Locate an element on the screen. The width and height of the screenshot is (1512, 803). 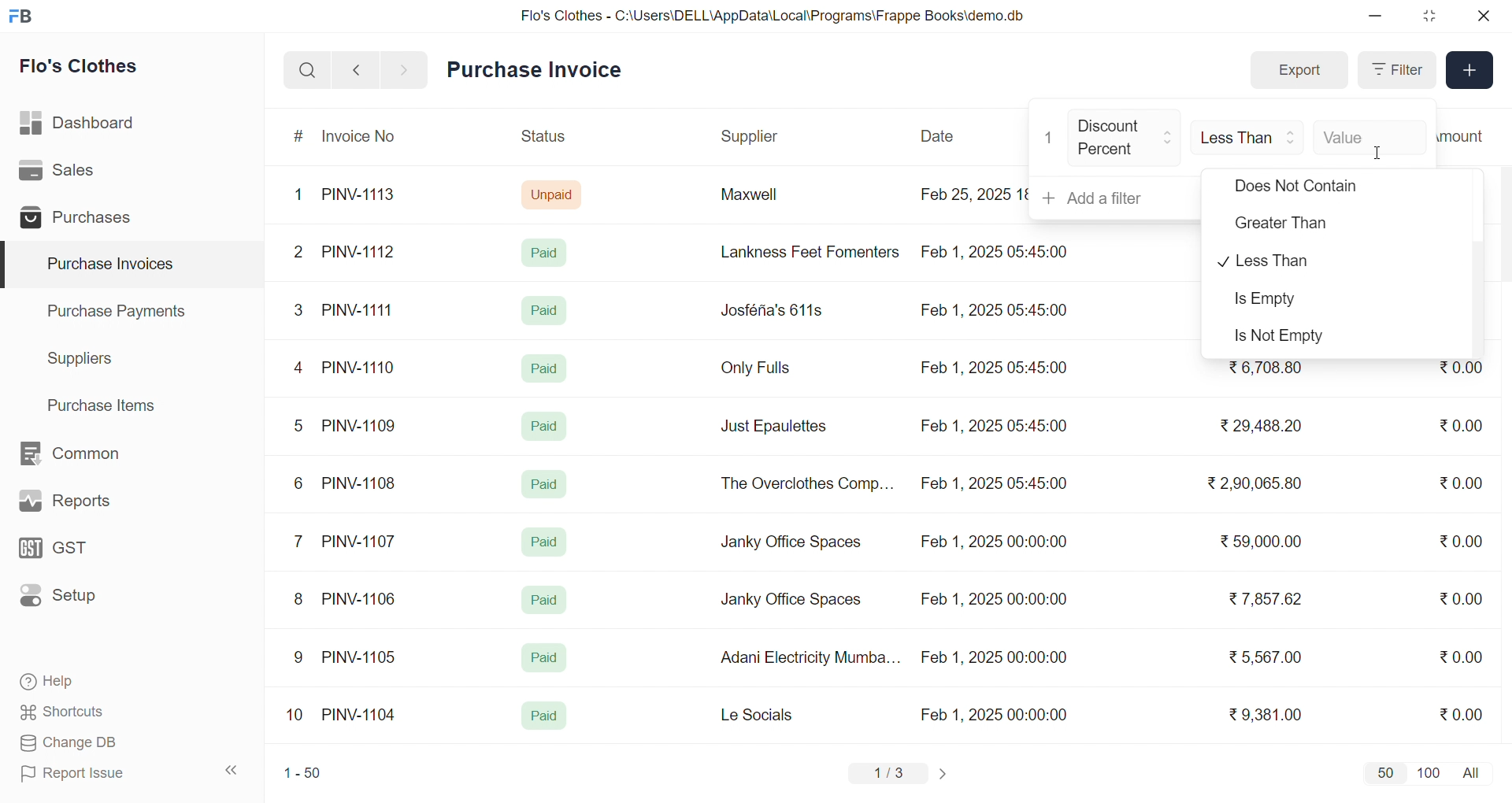
Only Fulls is located at coordinates (762, 372).